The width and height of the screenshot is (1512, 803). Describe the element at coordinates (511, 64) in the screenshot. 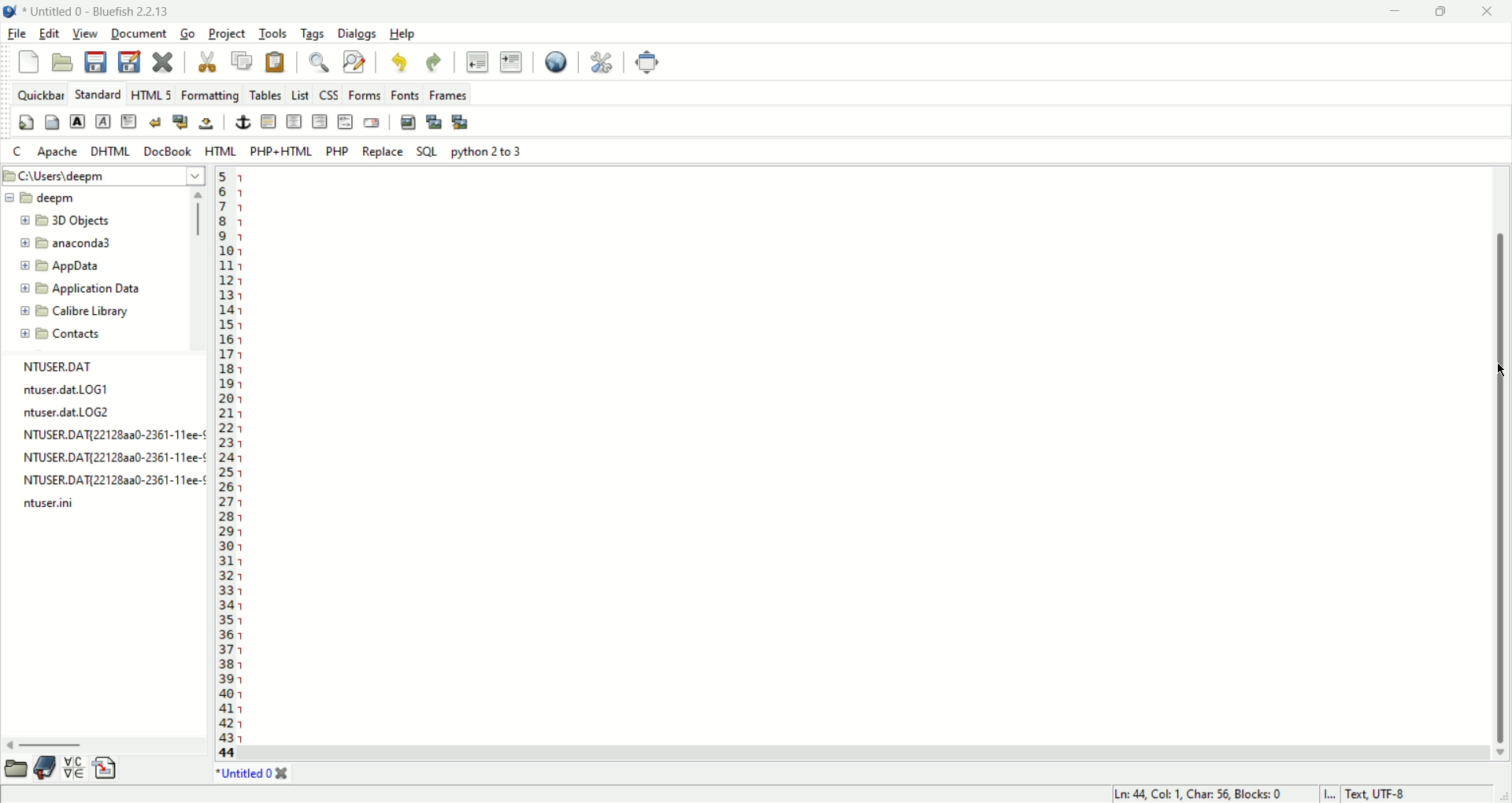

I see `indent` at that location.